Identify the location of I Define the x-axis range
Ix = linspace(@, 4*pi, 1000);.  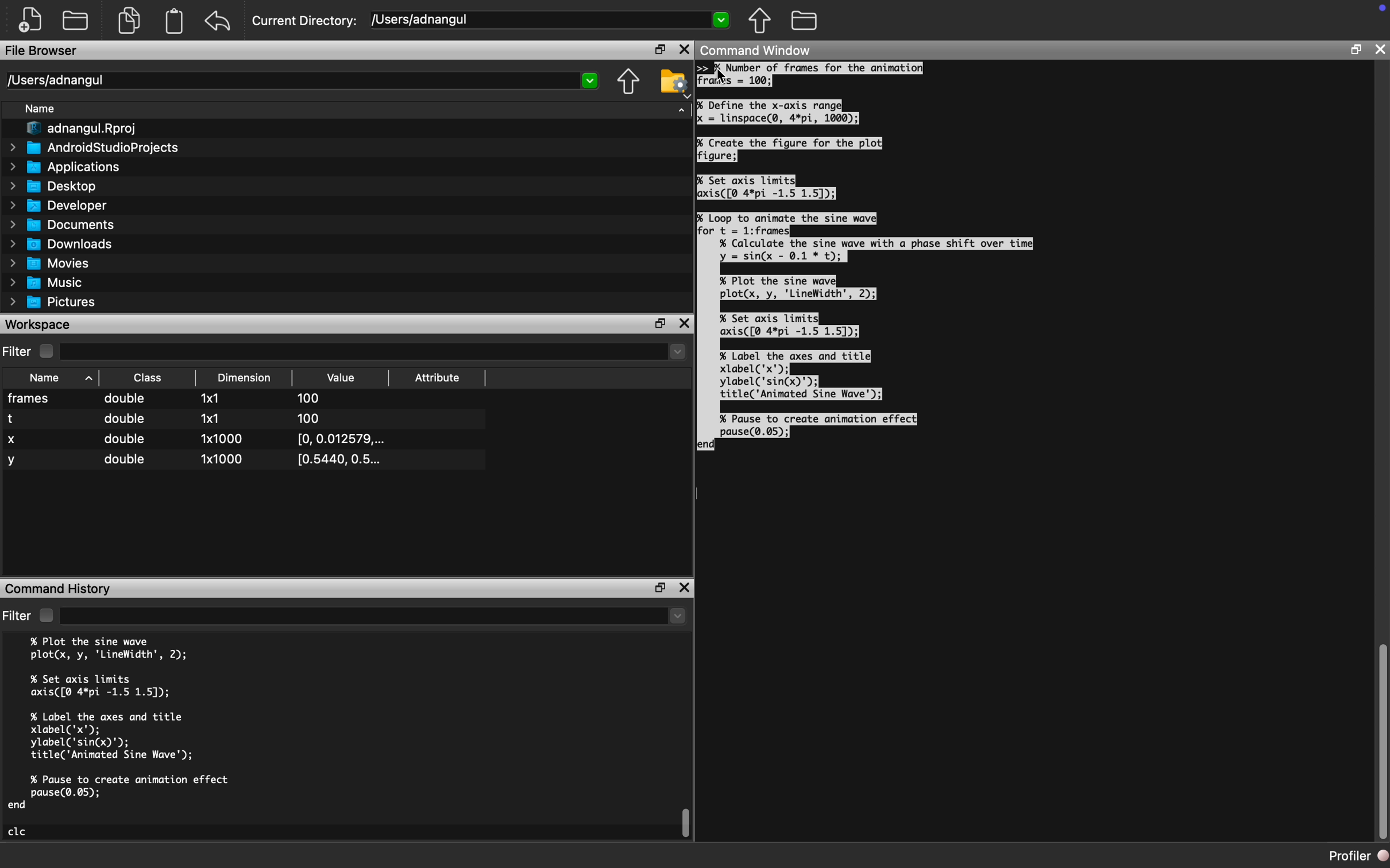
(780, 112).